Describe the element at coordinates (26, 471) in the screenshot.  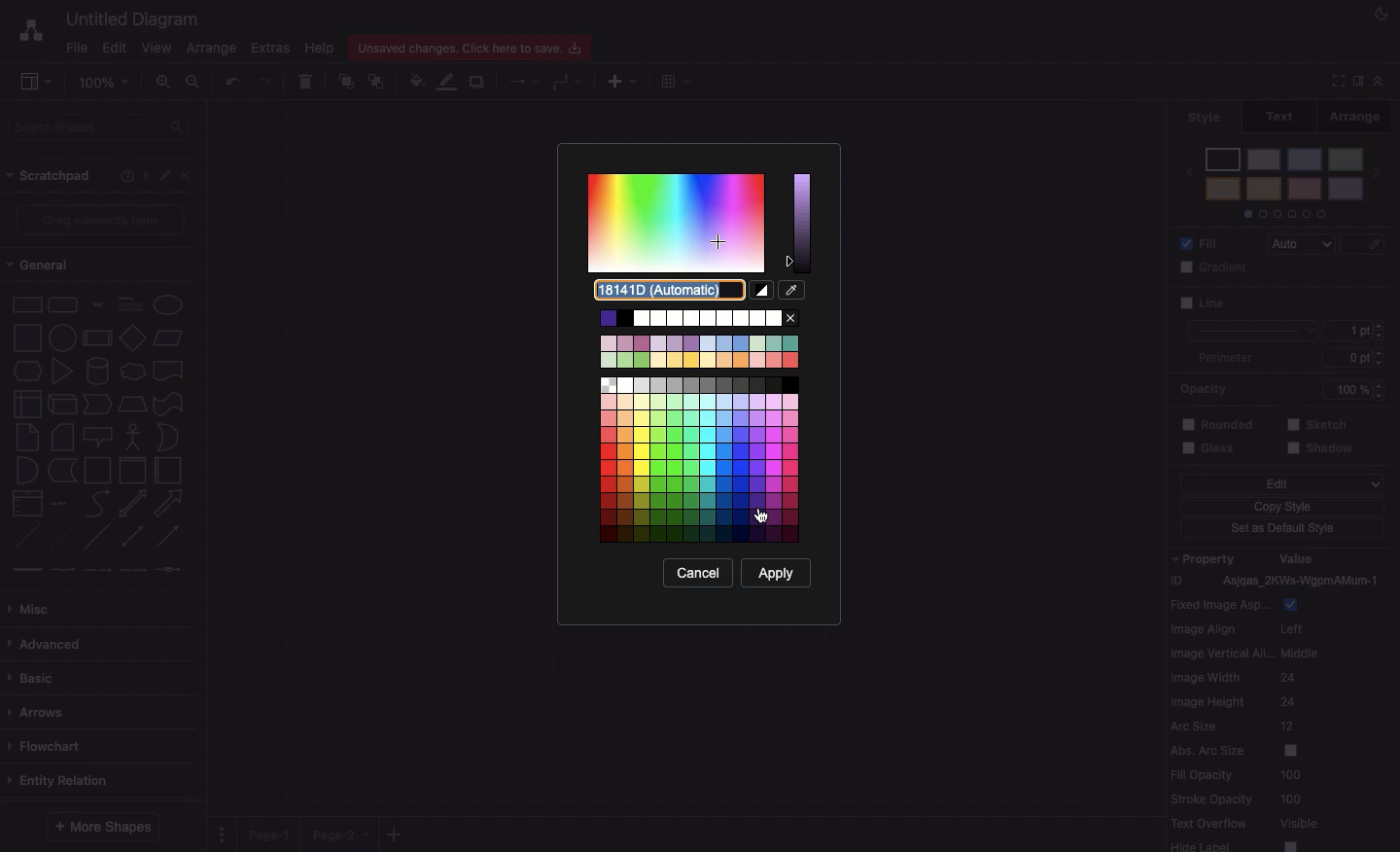
I see `and` at that location.